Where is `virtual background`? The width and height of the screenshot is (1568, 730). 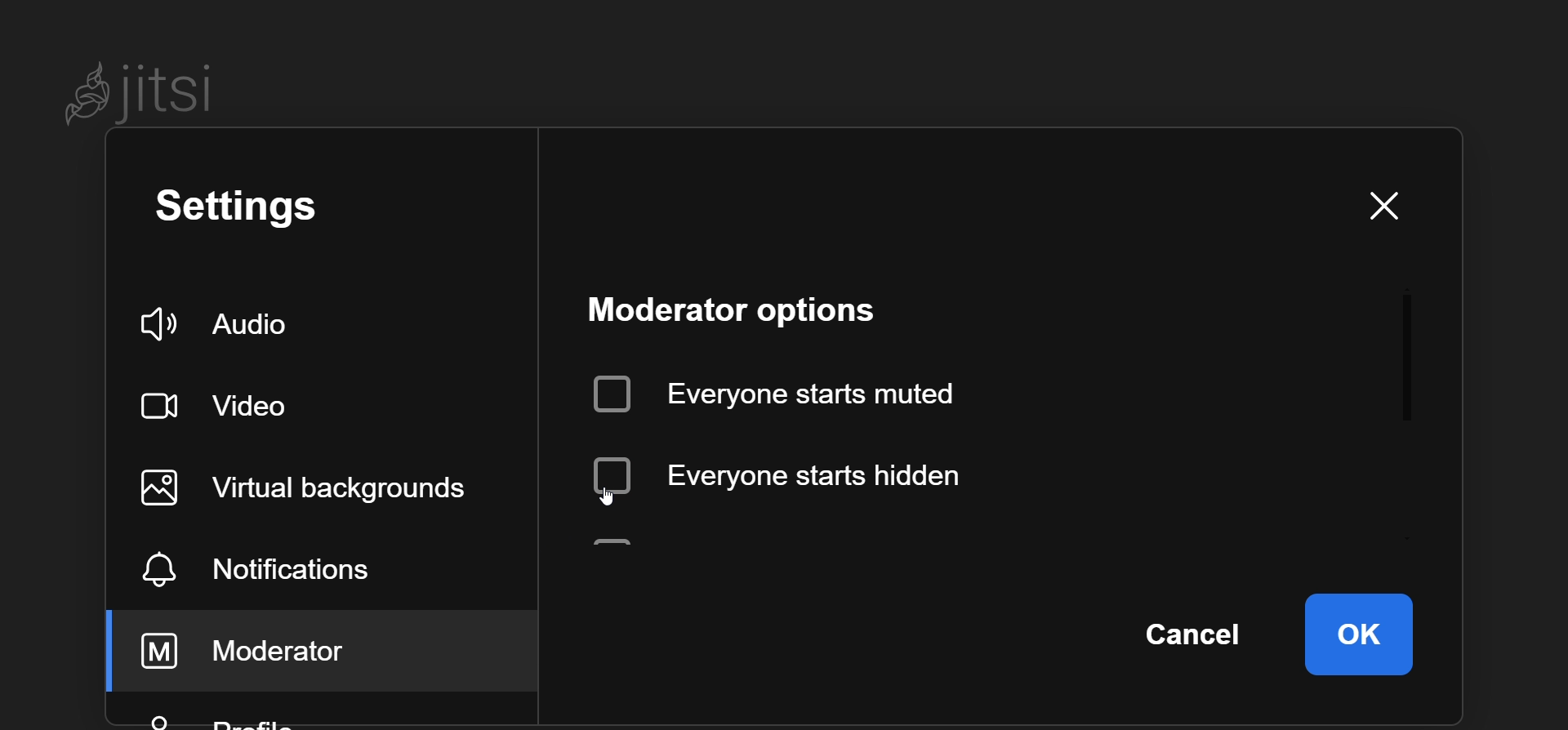 virtual background is located at coordinates (317, 488).